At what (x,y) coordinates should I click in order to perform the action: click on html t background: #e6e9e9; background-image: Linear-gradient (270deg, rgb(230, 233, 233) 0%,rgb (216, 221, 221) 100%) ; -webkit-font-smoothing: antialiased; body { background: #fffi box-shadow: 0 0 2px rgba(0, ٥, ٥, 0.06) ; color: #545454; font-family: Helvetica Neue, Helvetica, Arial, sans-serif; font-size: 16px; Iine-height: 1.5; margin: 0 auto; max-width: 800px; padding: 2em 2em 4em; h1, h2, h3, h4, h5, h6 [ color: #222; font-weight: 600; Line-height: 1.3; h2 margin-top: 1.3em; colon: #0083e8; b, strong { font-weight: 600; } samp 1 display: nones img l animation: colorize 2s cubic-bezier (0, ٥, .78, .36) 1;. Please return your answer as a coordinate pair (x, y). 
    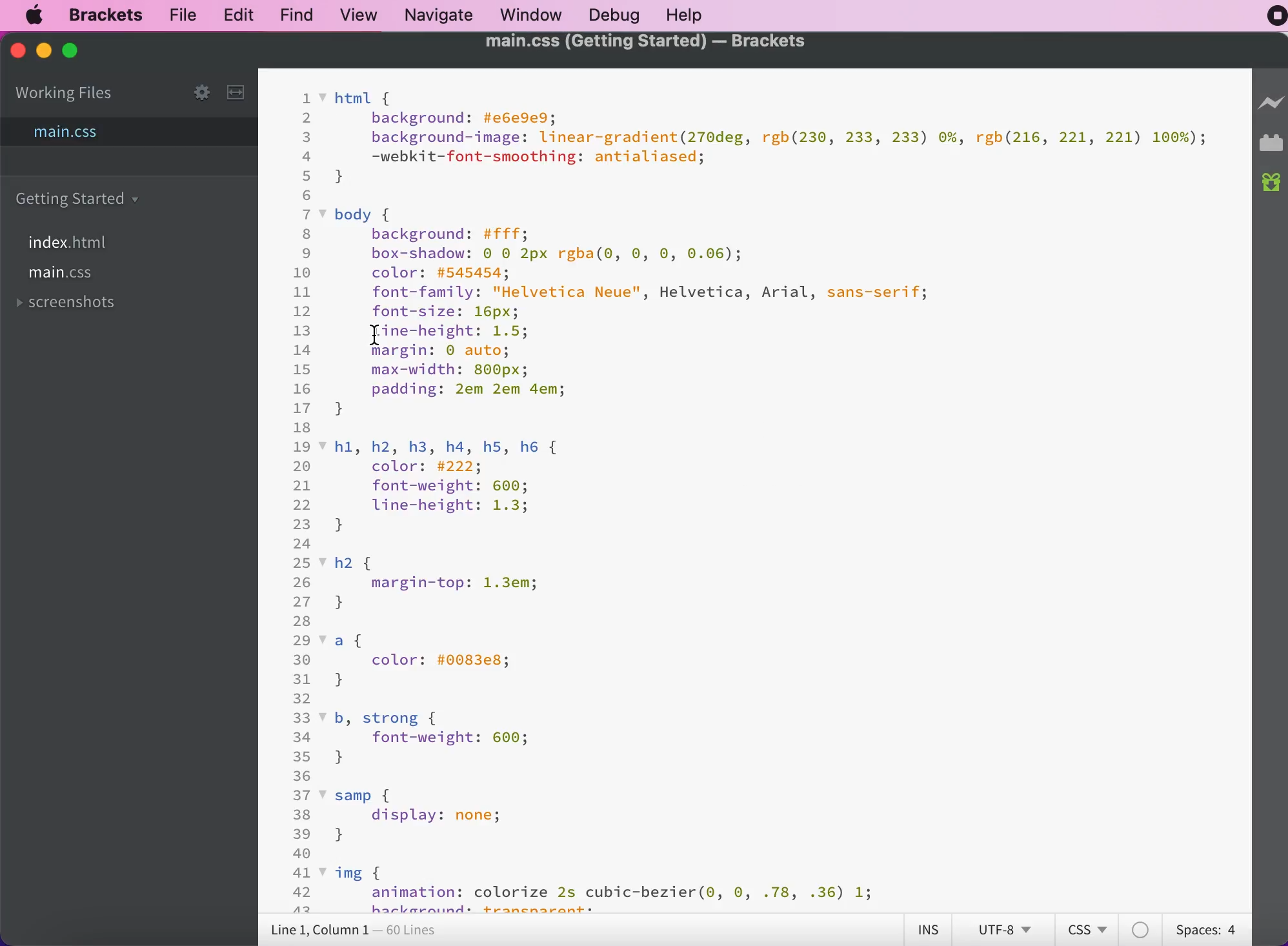
    Looking at the image, I should click on (772, 500).